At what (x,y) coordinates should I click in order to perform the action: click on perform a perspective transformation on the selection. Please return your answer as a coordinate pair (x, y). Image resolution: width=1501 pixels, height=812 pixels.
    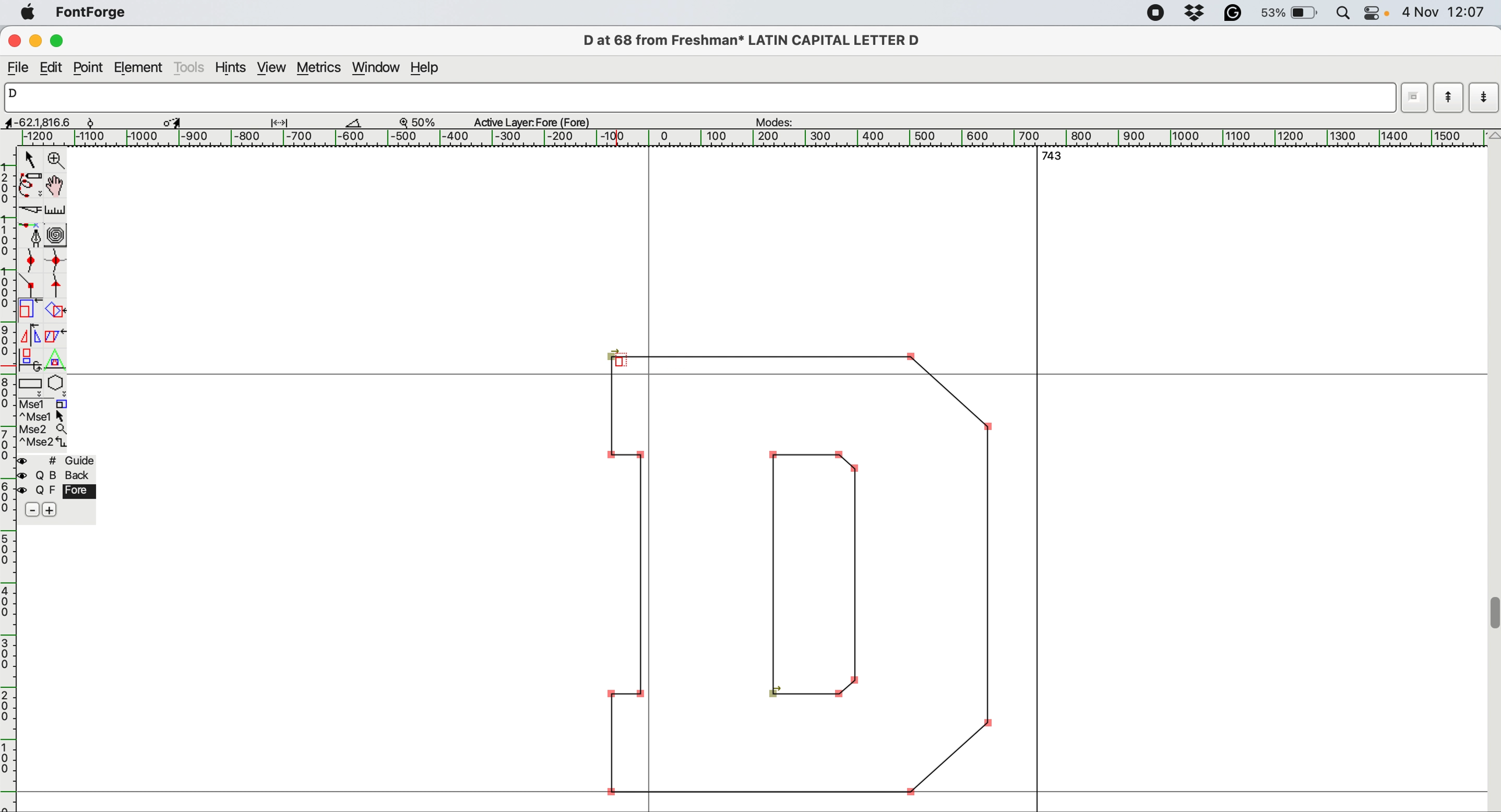
    Looking at the image, I should click on (54, 360).